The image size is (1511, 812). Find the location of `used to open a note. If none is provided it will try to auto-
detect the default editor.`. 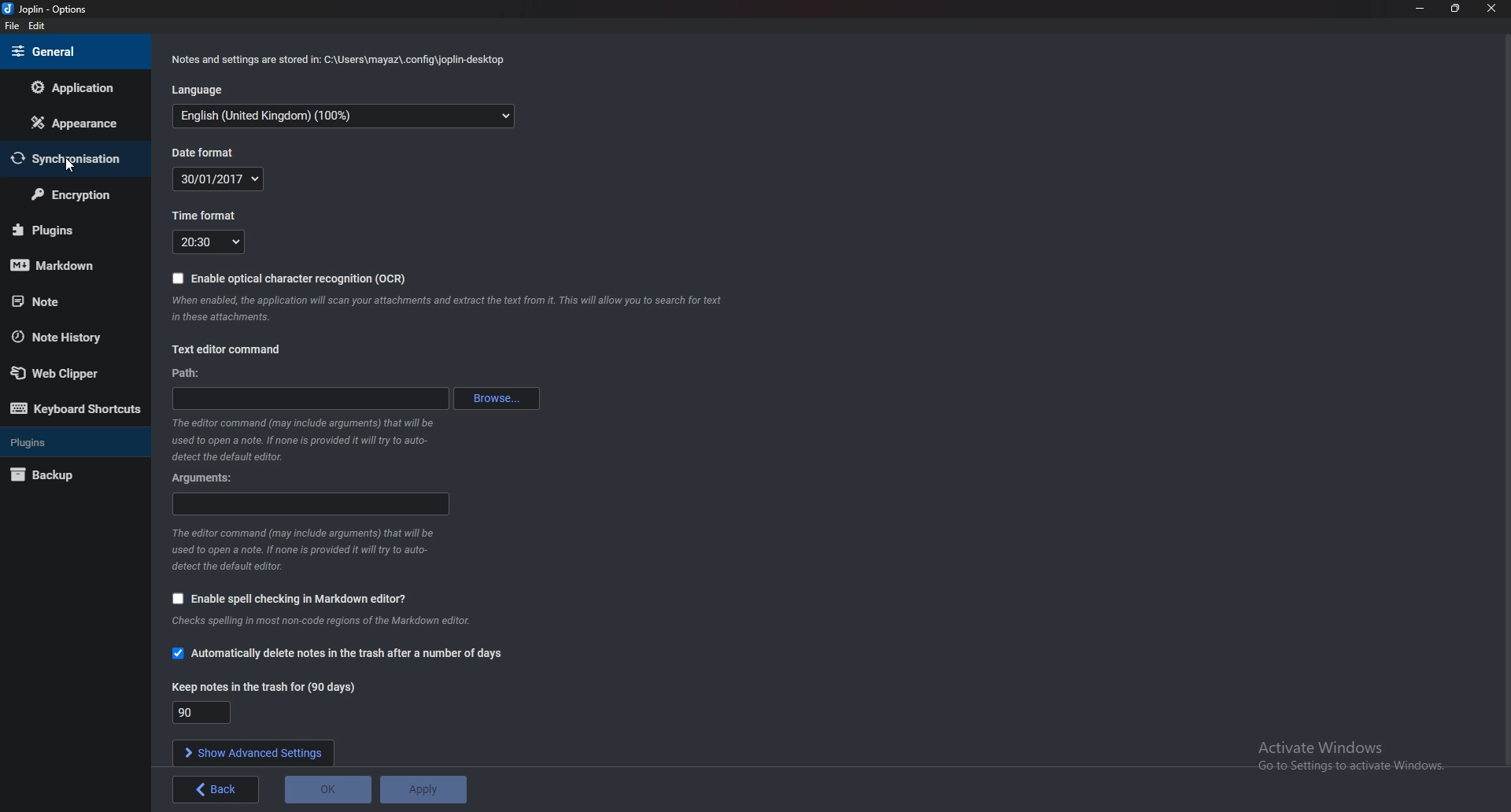

used to open a note. If none is provided it will try to auto-
detect the default editor. is located at coordinates (303, 441).